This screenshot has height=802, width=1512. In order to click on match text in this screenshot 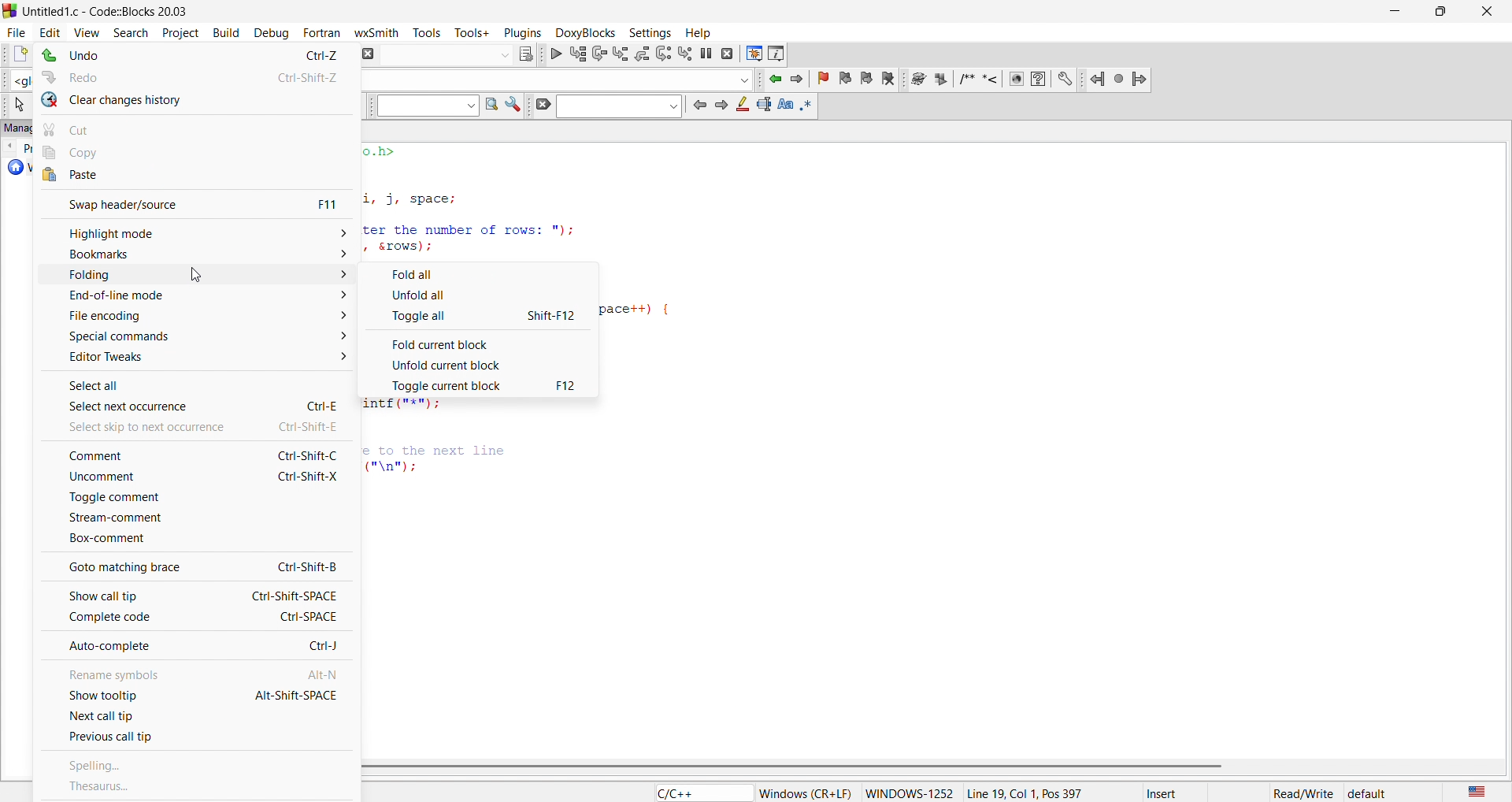, I will do `click(784, 104)`.